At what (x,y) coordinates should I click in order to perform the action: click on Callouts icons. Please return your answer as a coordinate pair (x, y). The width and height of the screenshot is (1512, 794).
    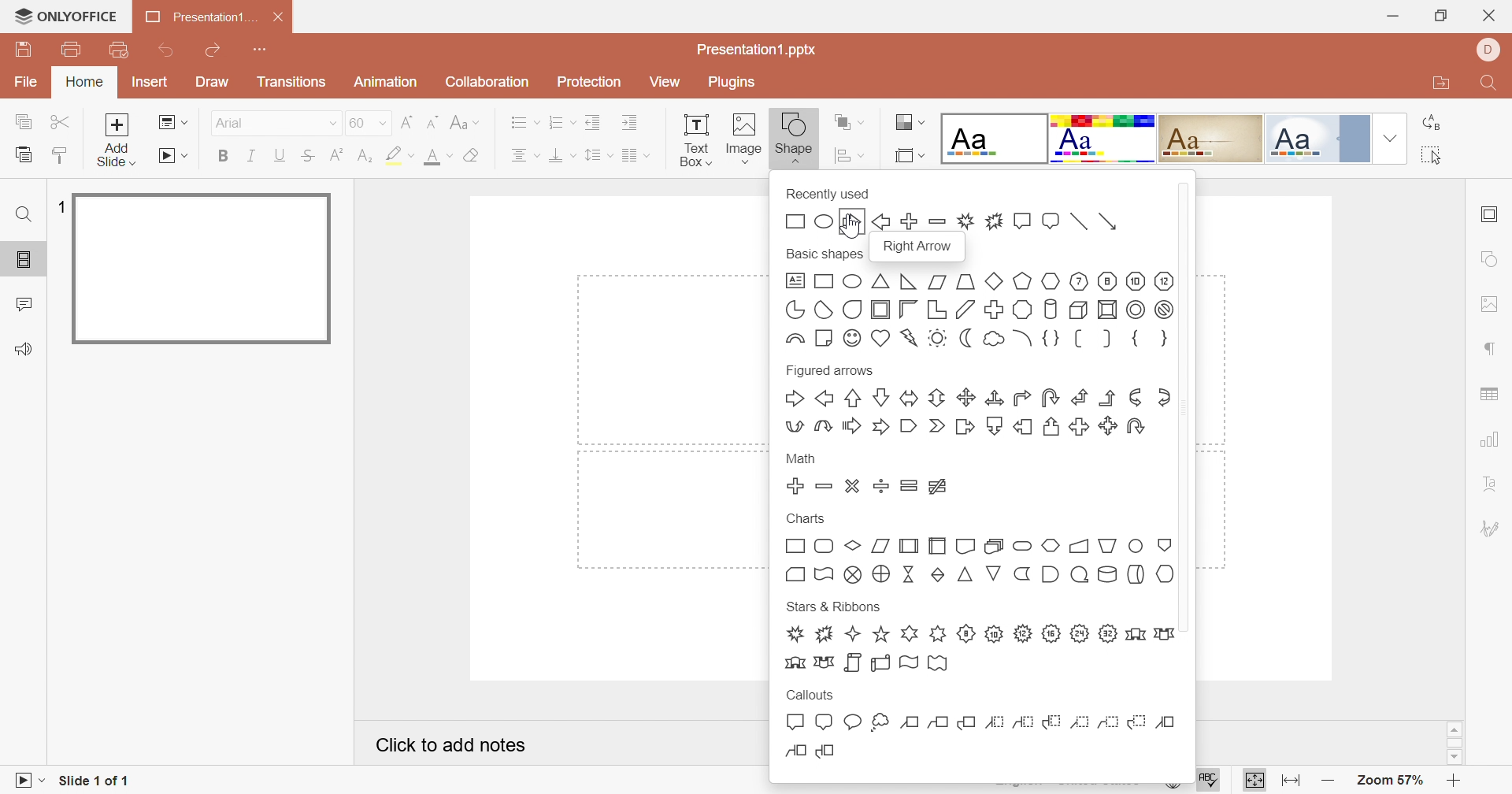
    Looking at the image, I should click on (978, 736).